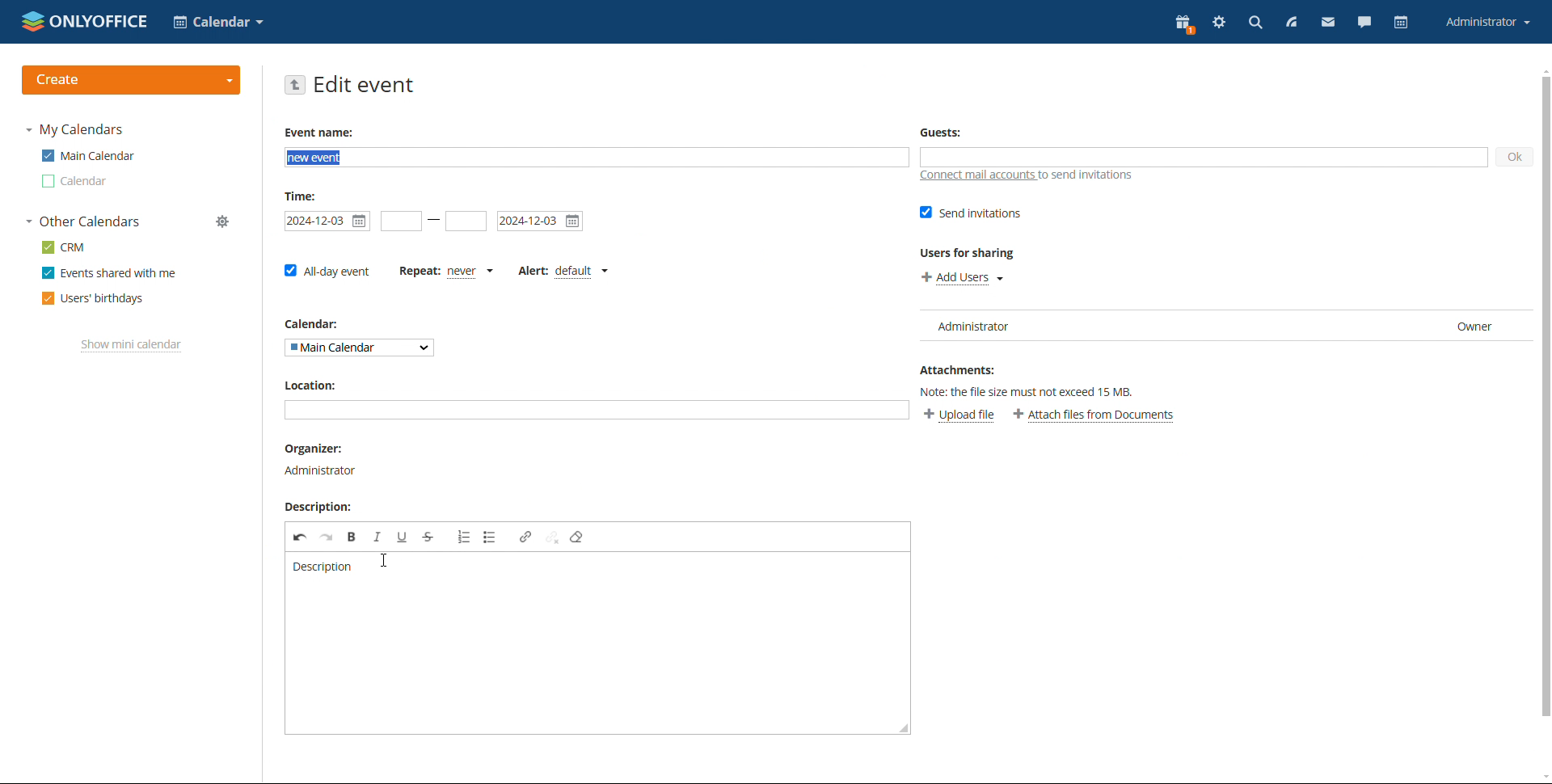 The image size is (1552, 784). Describe the element at coordinates (383, 561) in the screenshot. I see `cursor` at that location.